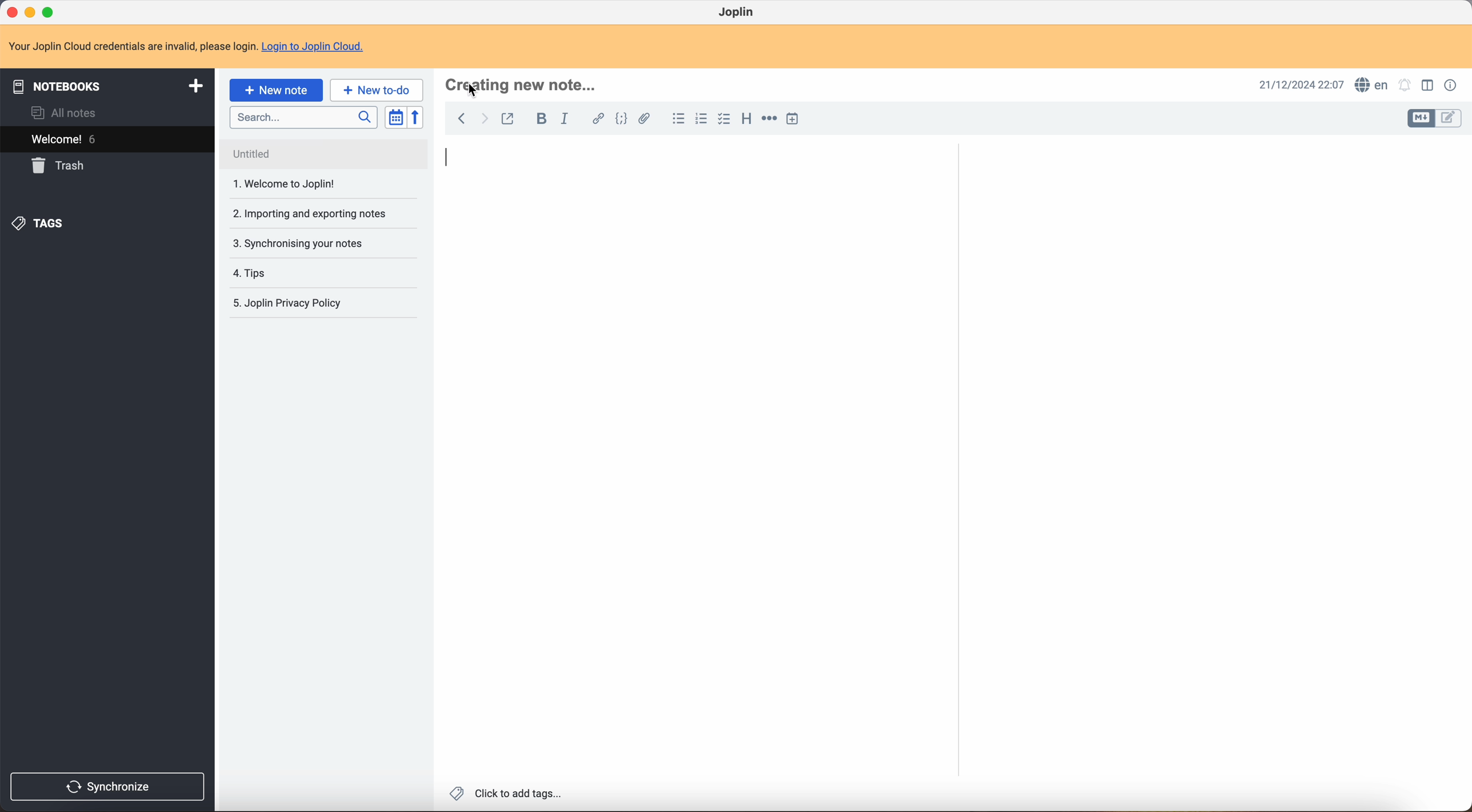  Describe the element at coordinates (702, 118) in the screenshot. I see `numbered list` at that location.